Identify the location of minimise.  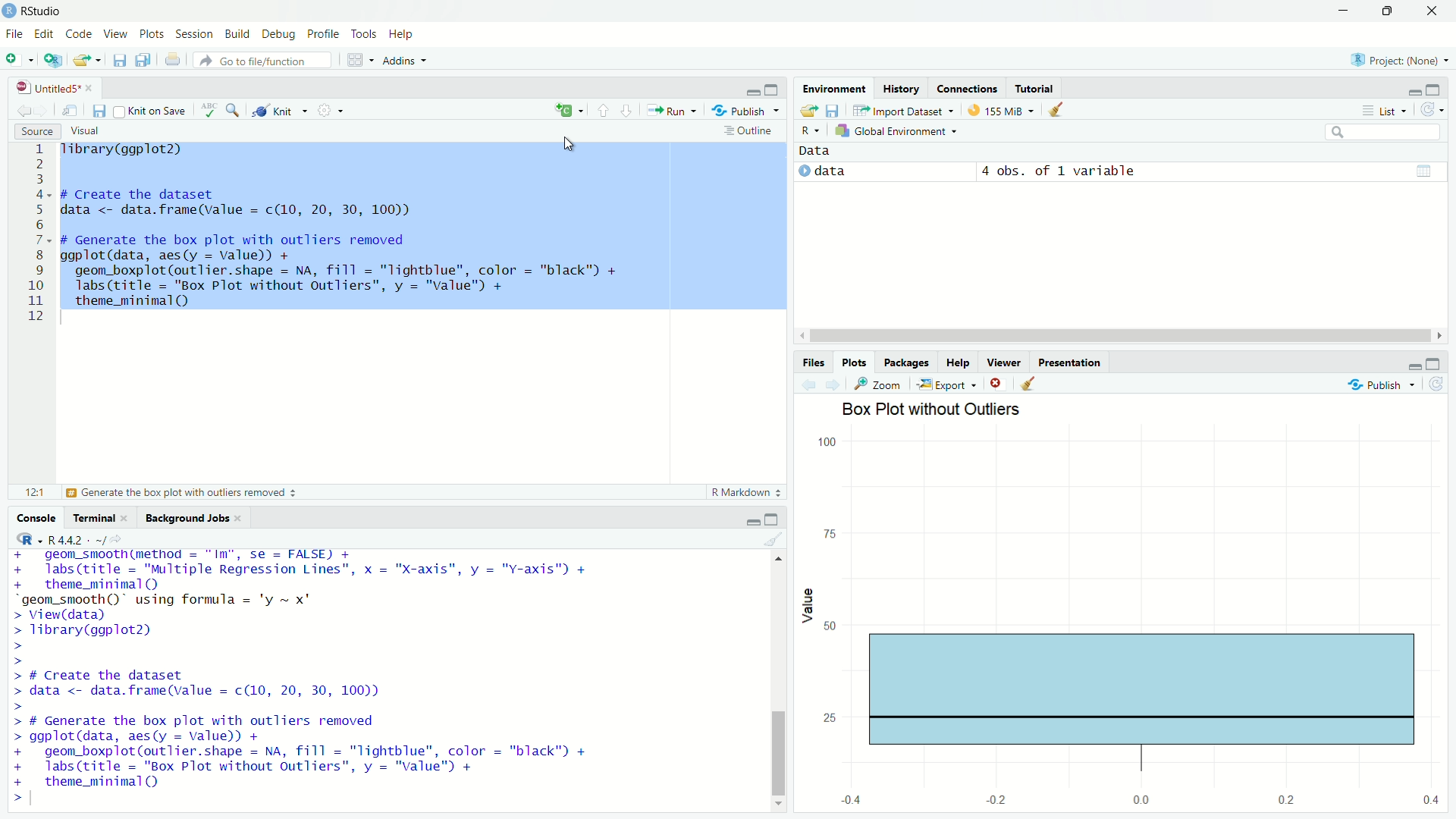
(1326, 12).